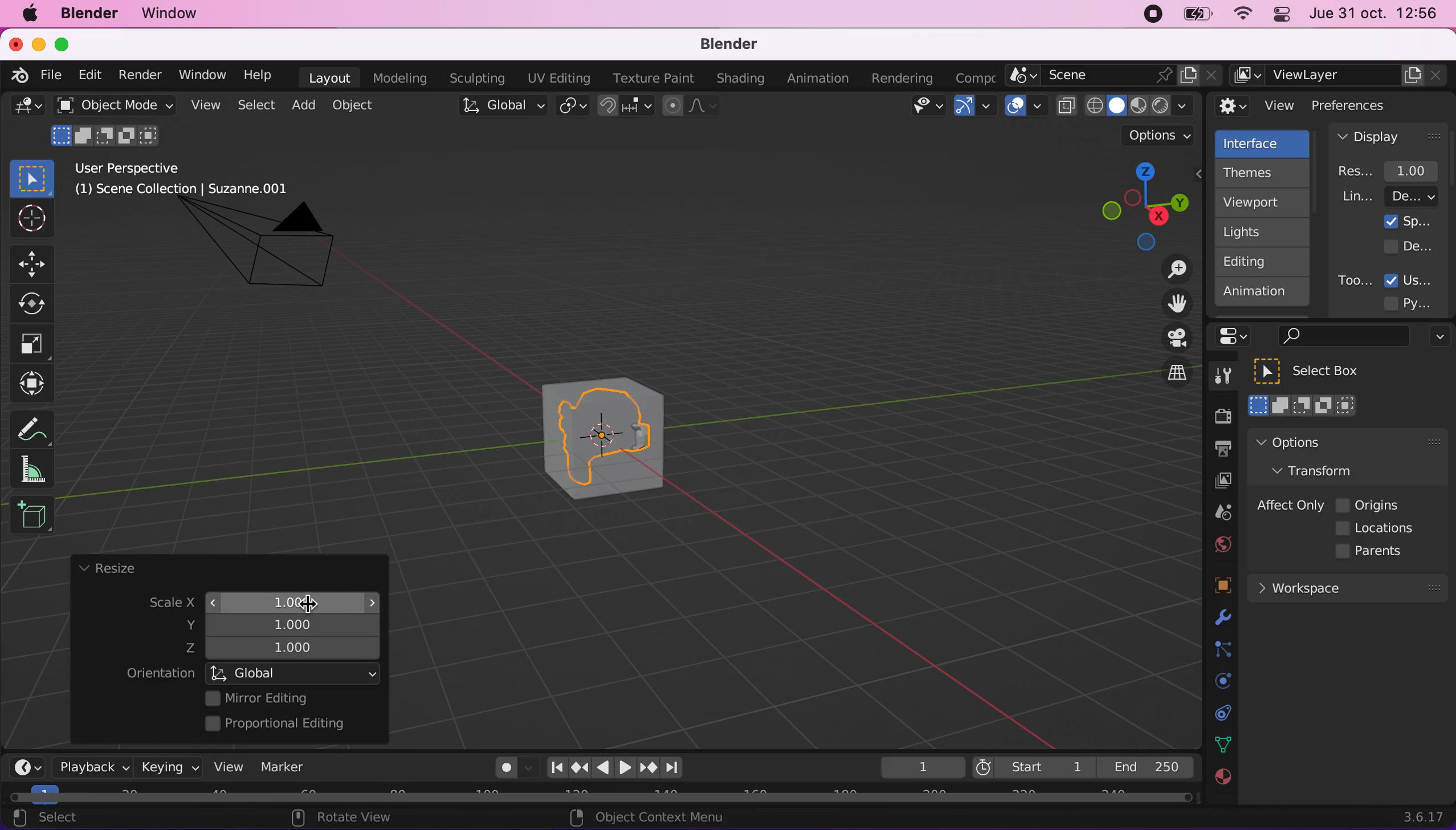 The height and width of the screenshot is (830, 1456). What do you see at coordinates (1408, 221) in the screenshot?
I see `splash screen` at bounding box center [1408, 221].